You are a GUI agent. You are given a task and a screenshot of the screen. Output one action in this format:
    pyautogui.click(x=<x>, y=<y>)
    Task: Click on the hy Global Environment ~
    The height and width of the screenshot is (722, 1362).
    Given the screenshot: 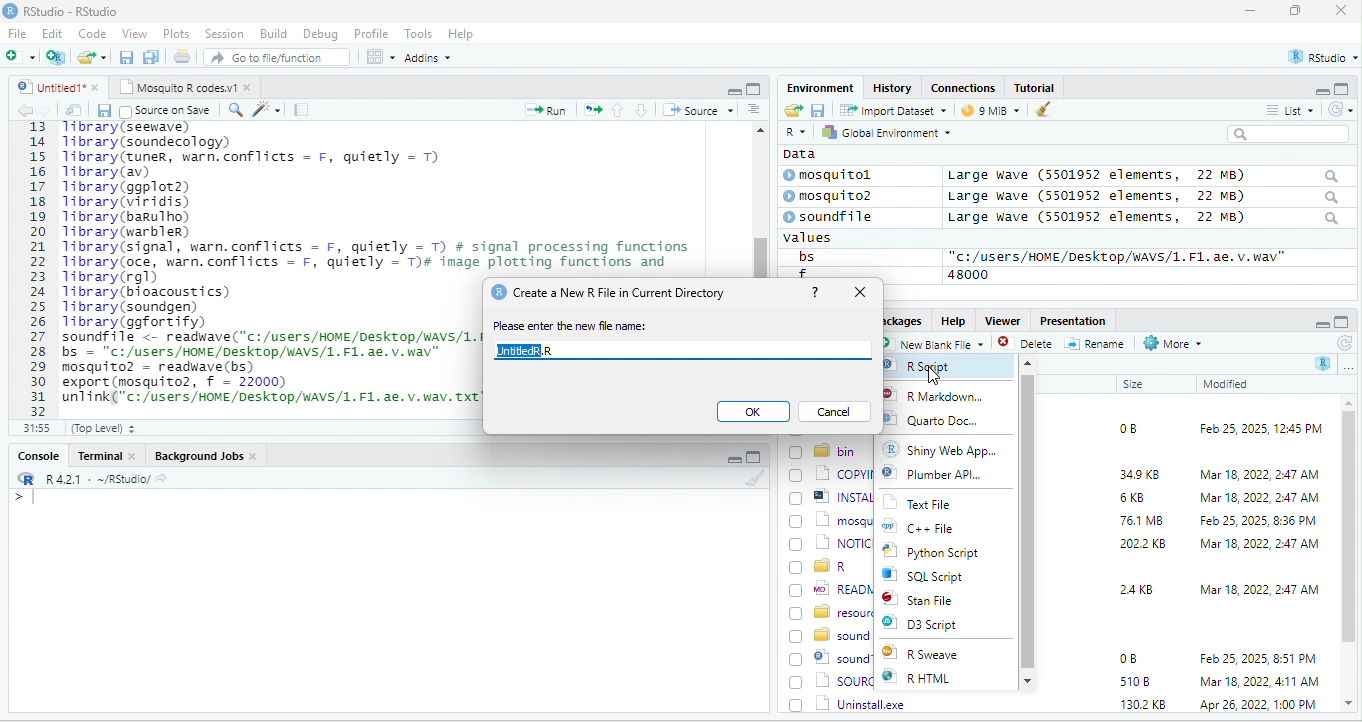 What is the action you would take?
    pyautogui.click(x=881, y=132)
    